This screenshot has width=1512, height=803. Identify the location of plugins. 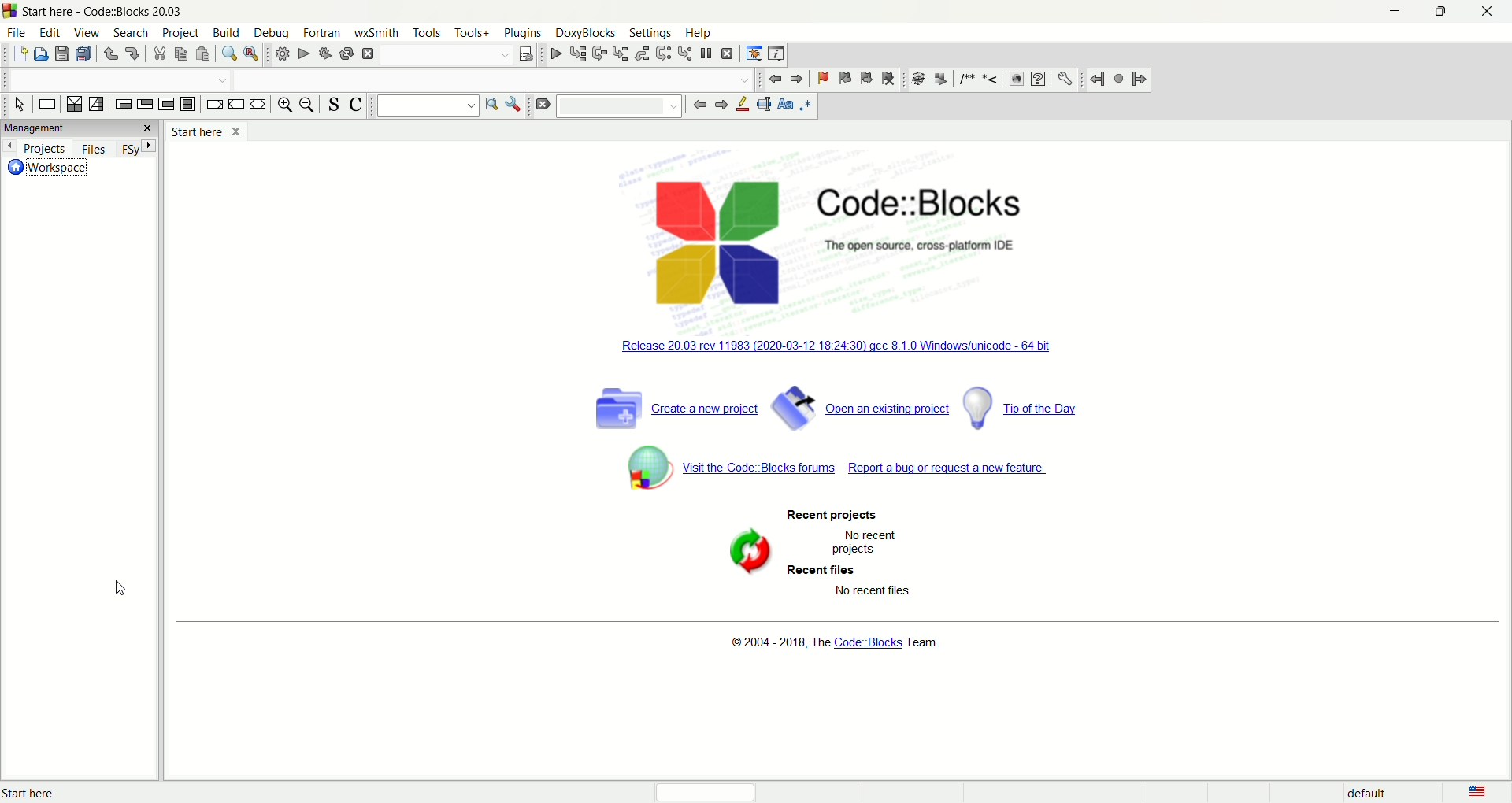
(525, 33).